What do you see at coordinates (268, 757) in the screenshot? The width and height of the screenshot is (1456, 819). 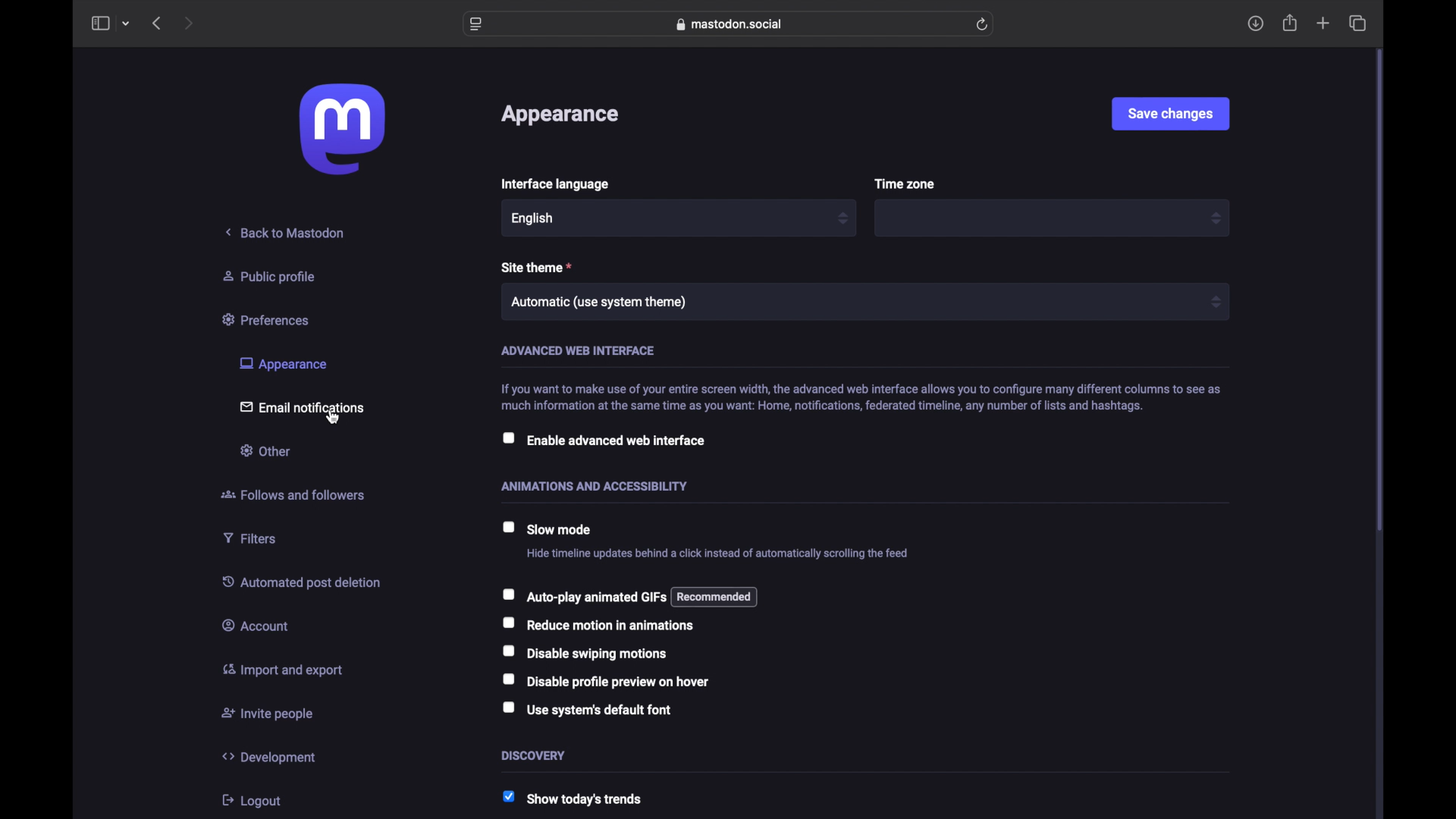 I see `development` at bounding box center [268, 757].